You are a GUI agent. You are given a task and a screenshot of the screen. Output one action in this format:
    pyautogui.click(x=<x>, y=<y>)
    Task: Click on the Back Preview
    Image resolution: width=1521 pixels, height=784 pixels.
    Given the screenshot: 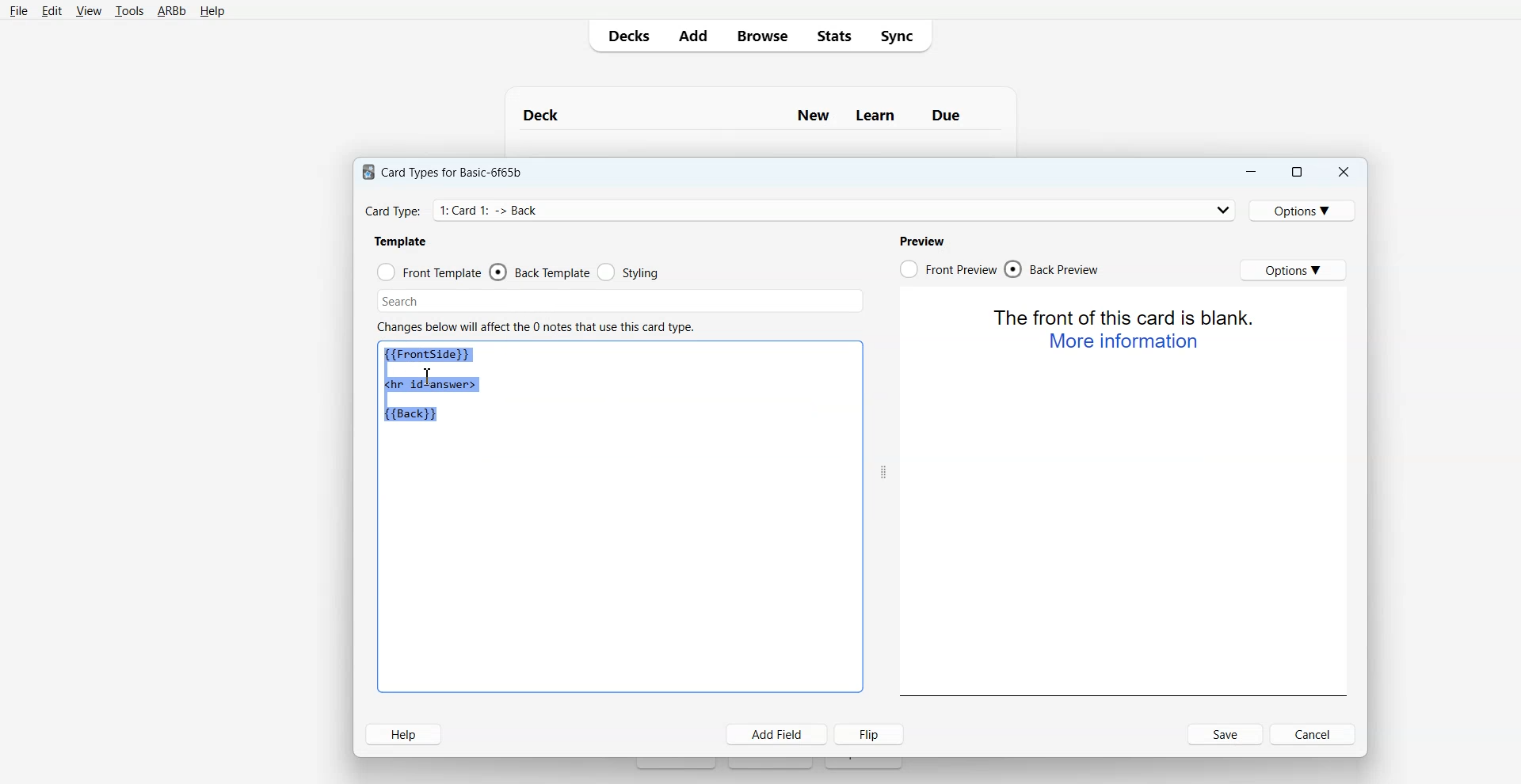 What is the action you would take?
    pyautogui.click(x=1054, y=269)
    